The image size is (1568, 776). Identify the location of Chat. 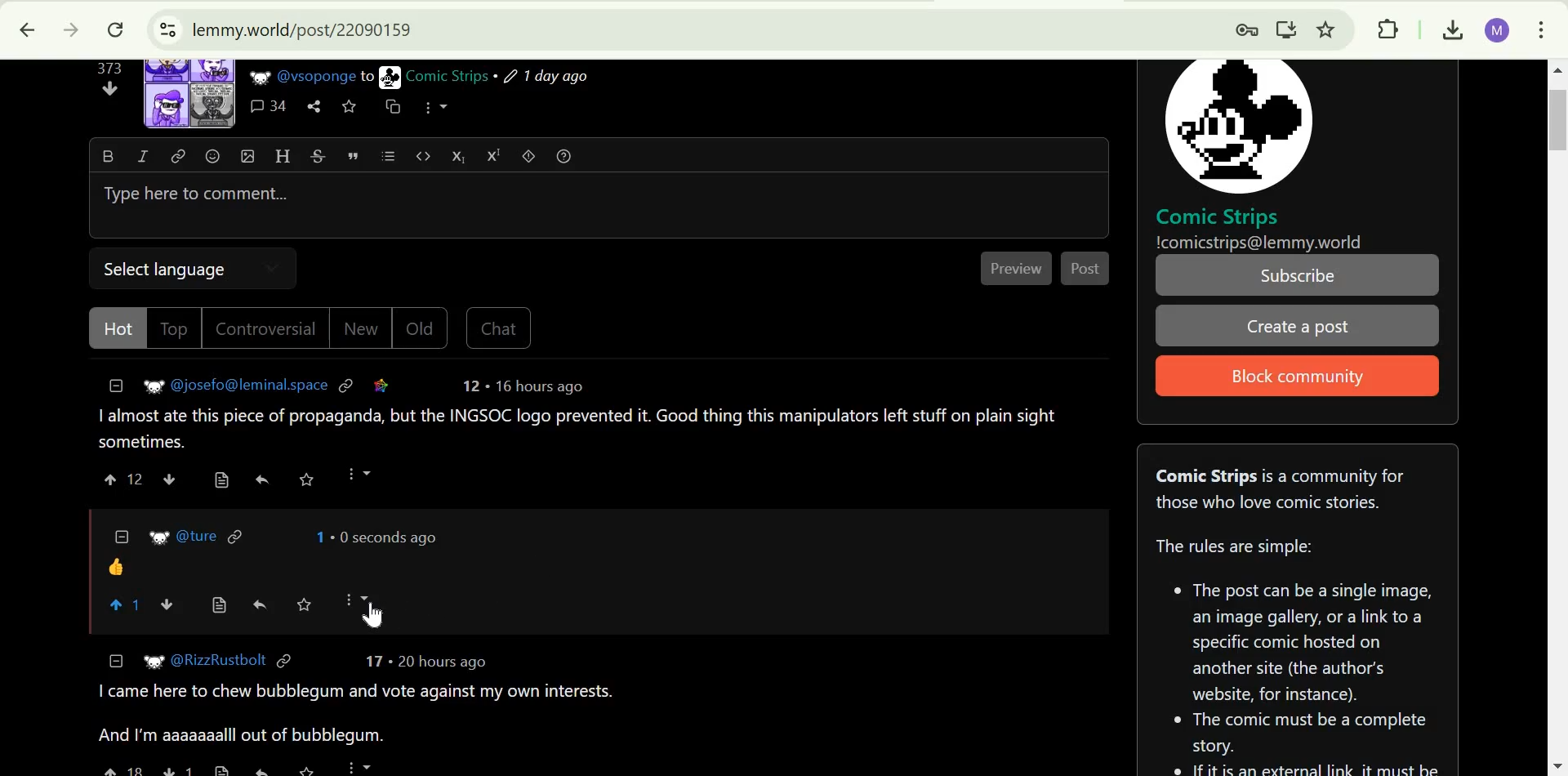
(498, 329).